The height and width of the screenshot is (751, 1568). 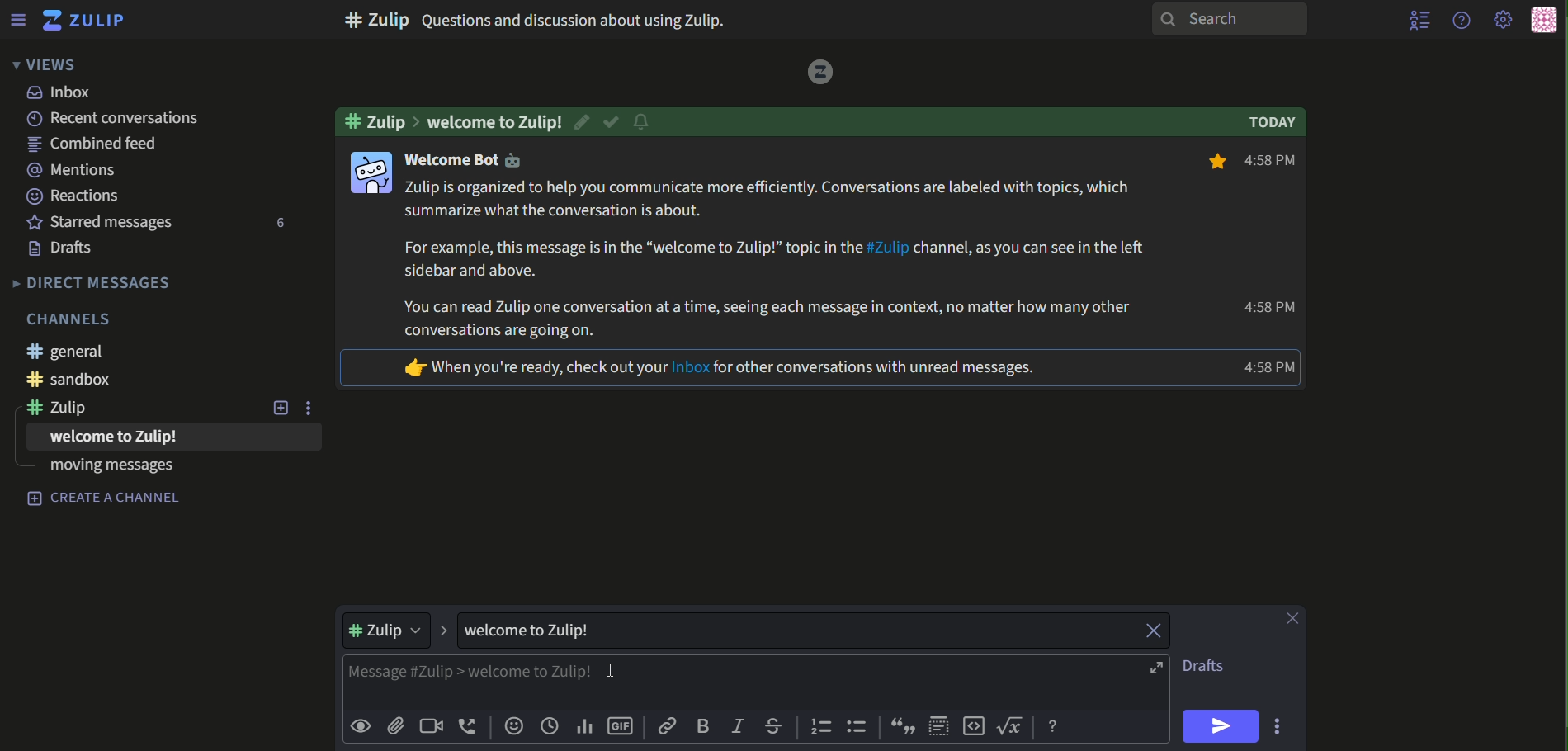 I want to click on preview, so click(x=360, y=727).